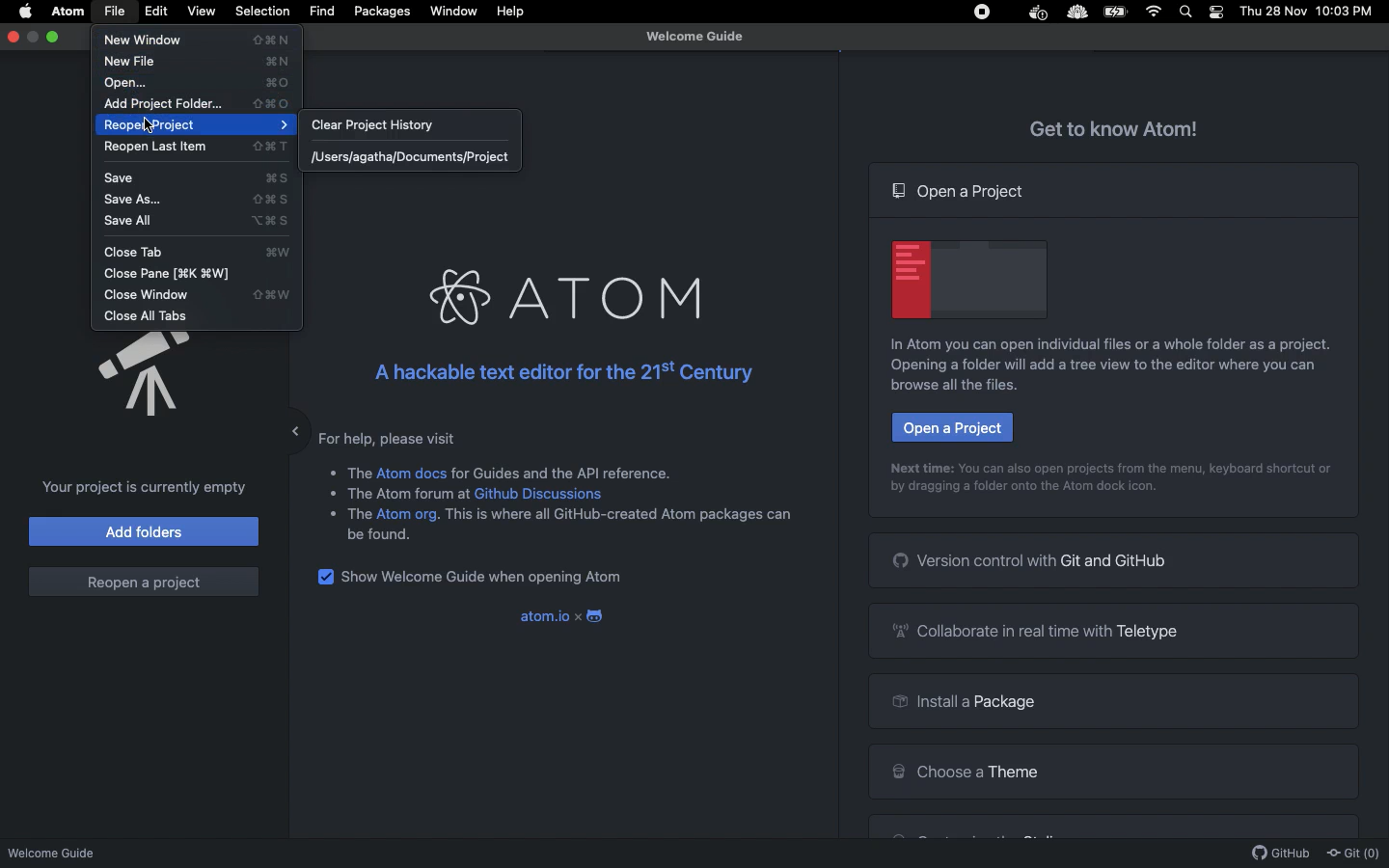 This screenshot has width=1389, height=868. I want to click on Descriptive Text, so click(567, 471).